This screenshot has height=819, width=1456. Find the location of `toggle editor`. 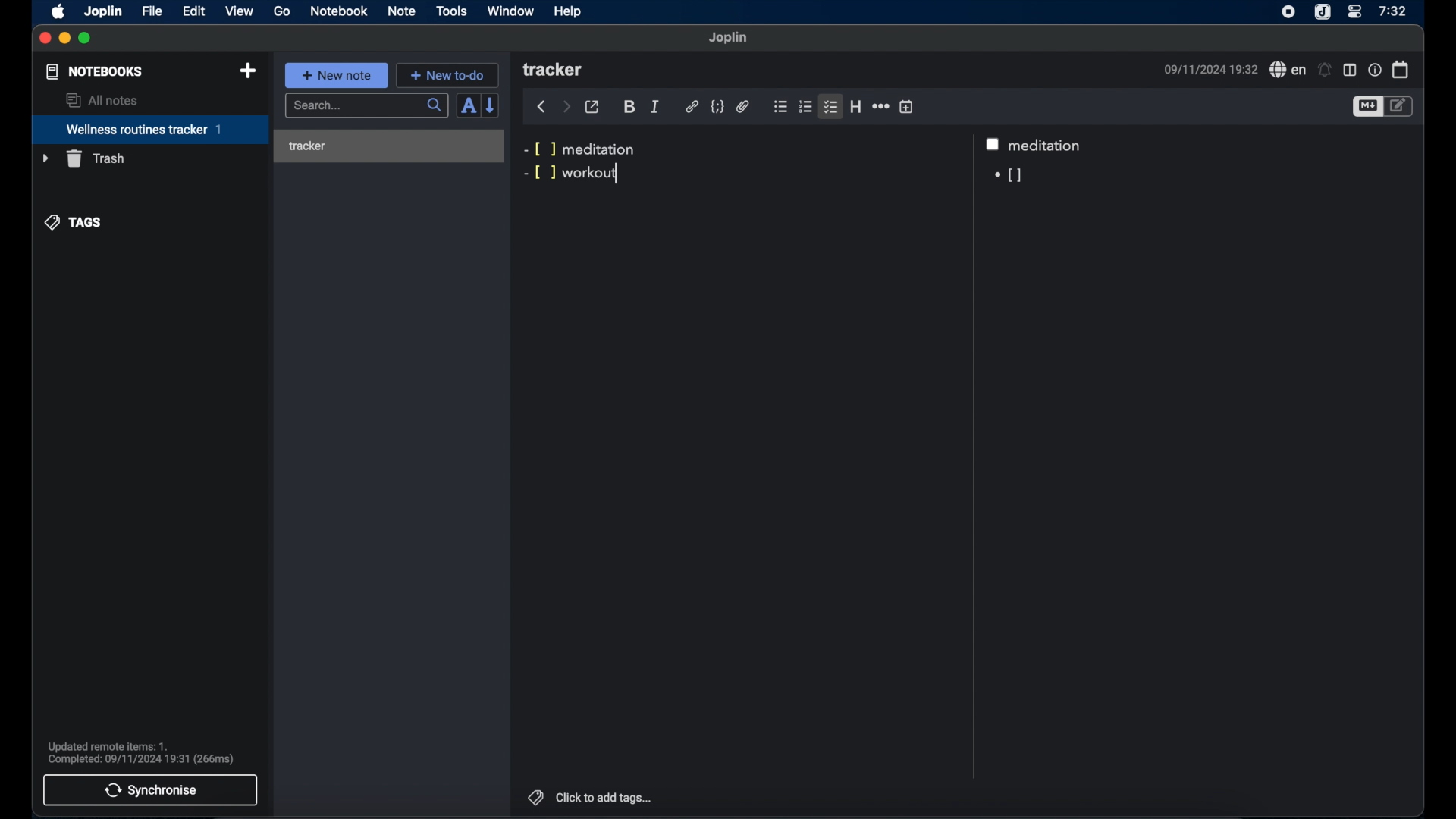

toggle editor is located at coordinates (1401, 107).